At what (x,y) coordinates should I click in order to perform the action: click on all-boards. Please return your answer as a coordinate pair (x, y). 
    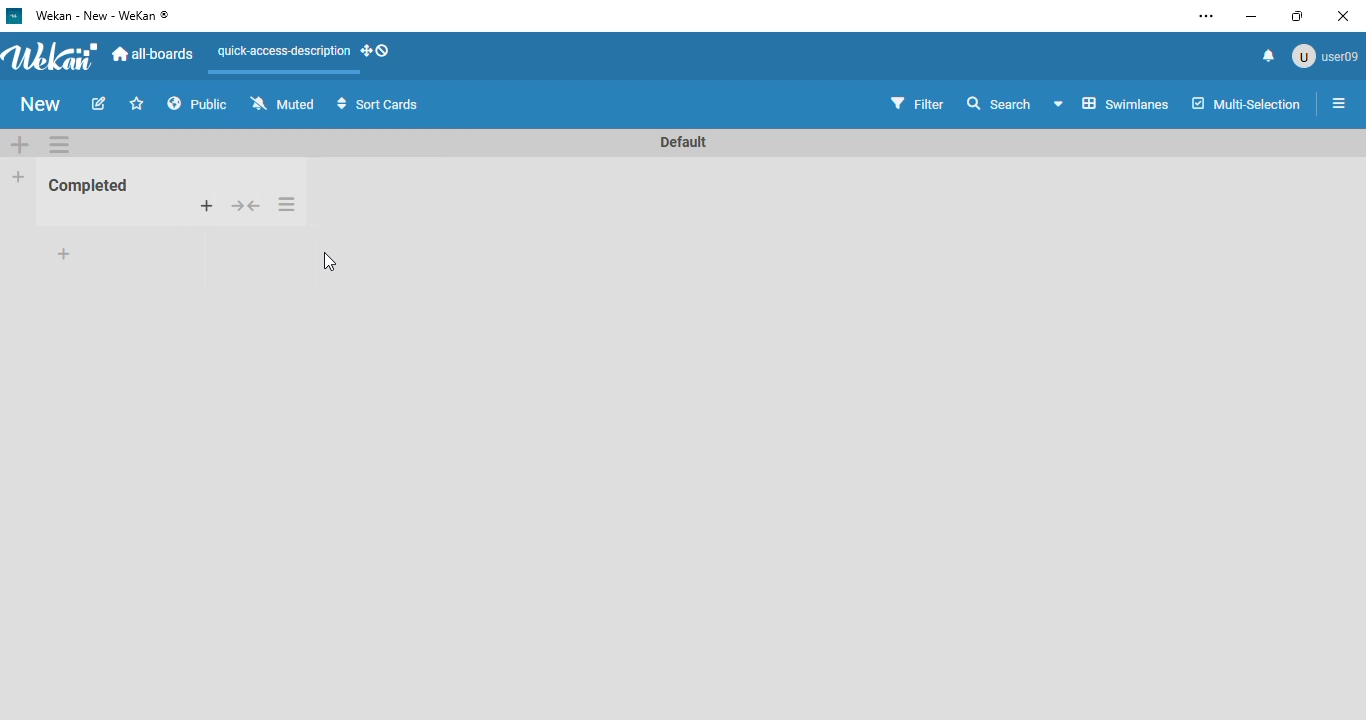
    Looking at the image, I should click on (155, 55).